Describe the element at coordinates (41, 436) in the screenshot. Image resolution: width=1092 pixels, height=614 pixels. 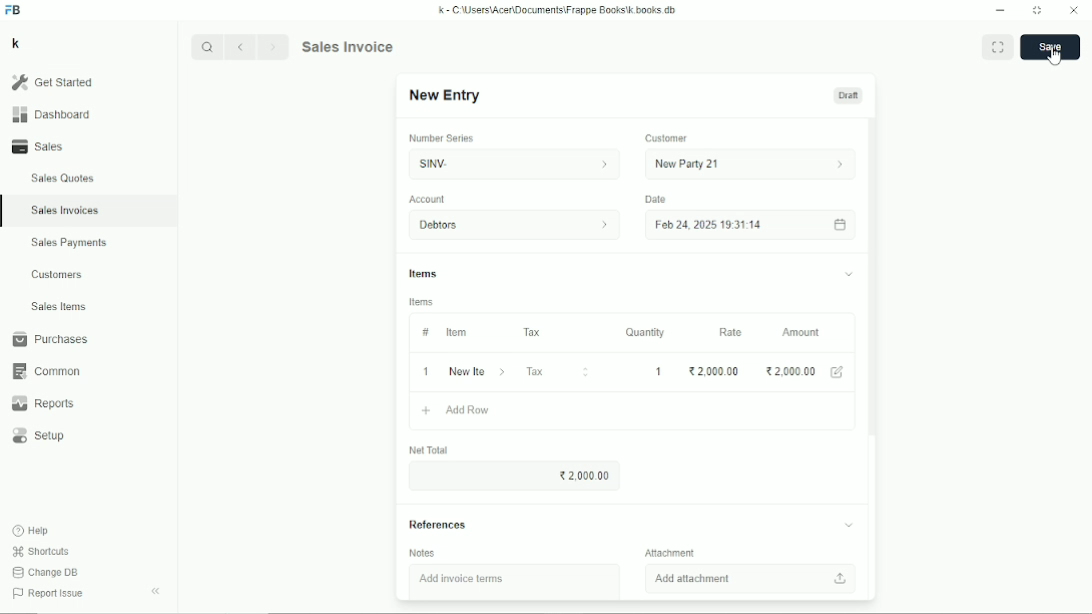
I see `Setup` at that location.